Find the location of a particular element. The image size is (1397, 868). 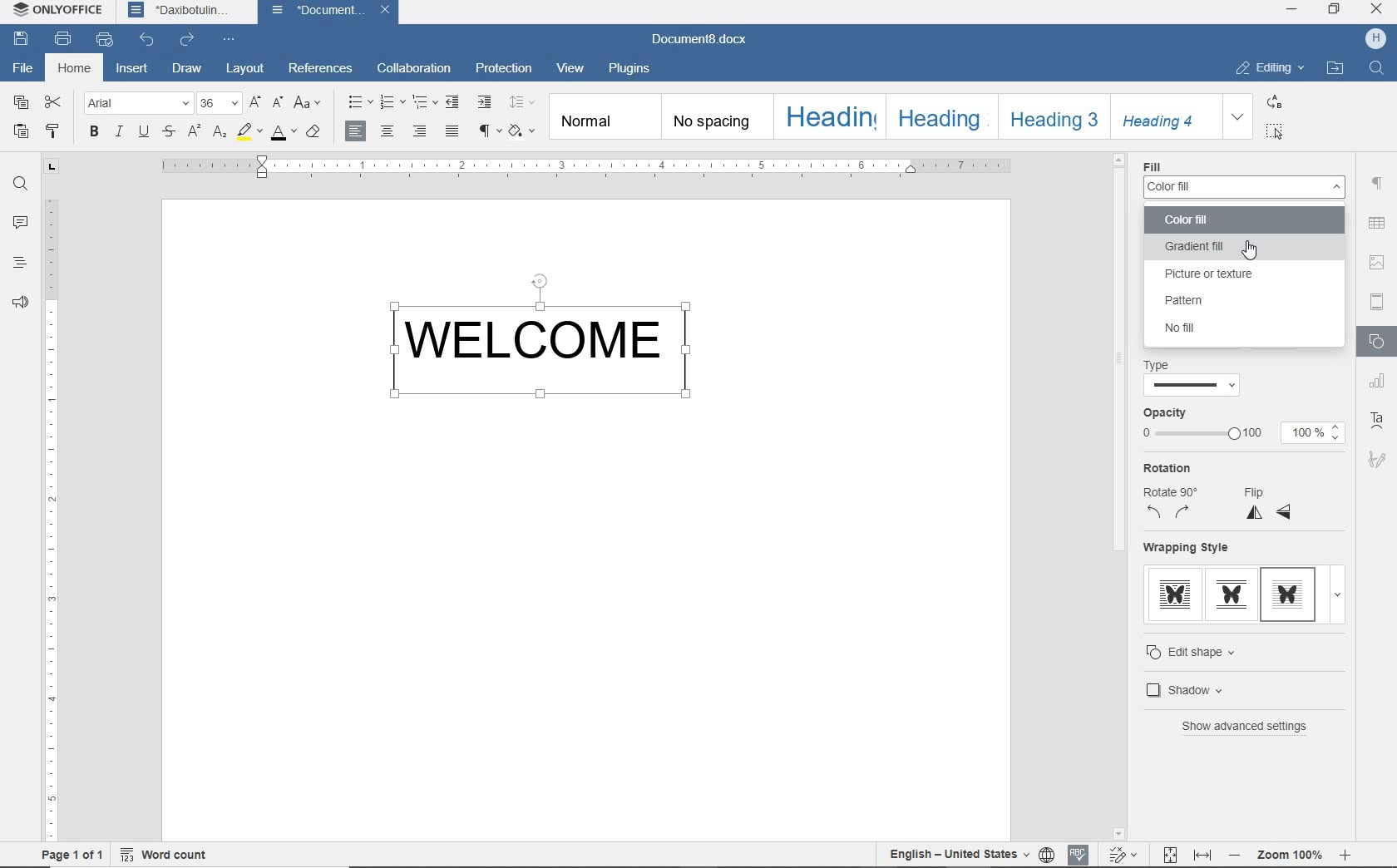

COMMENTS is located at coordinates (22, 223).